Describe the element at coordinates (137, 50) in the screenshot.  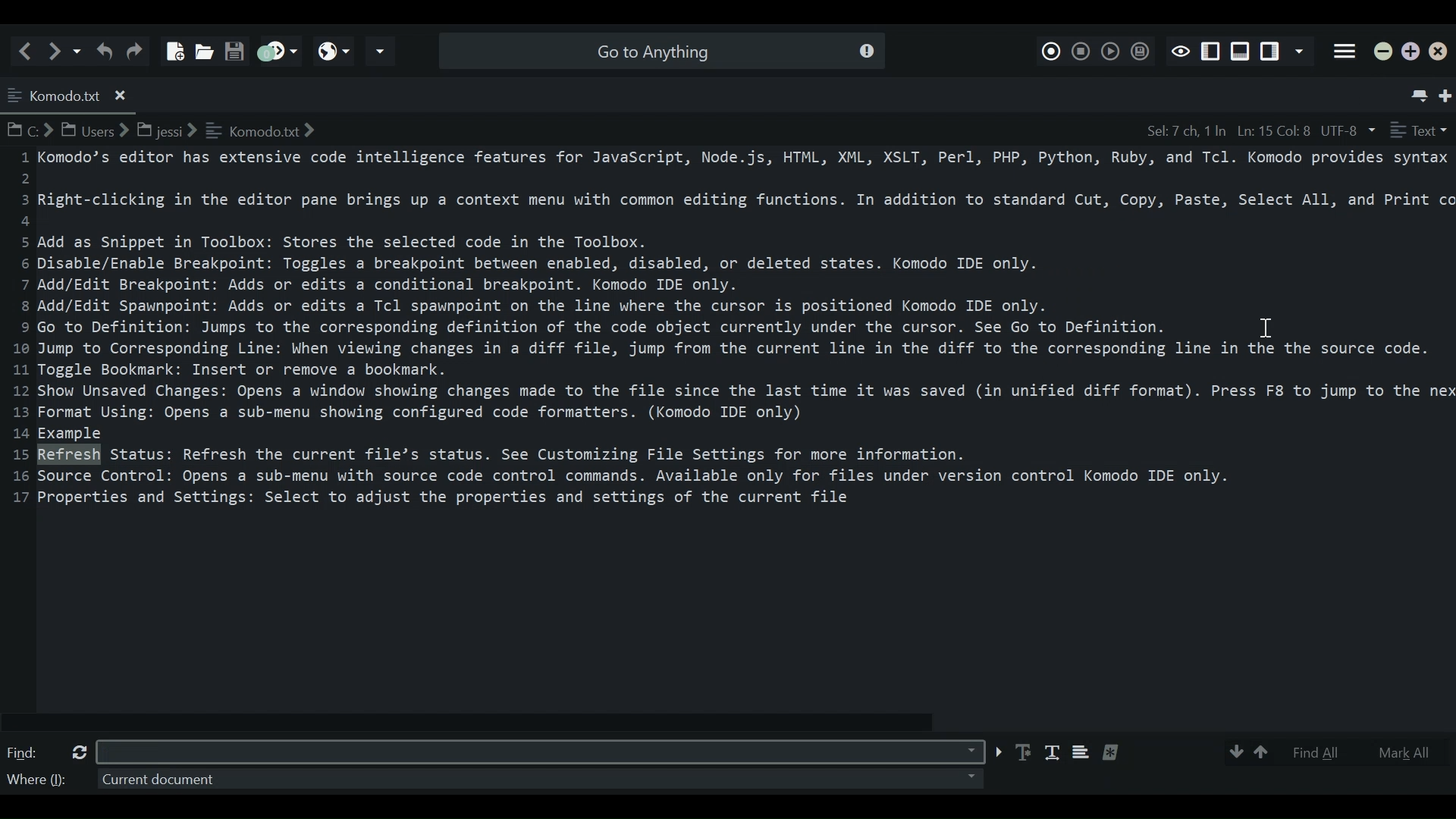
I see `Redo` at that location.